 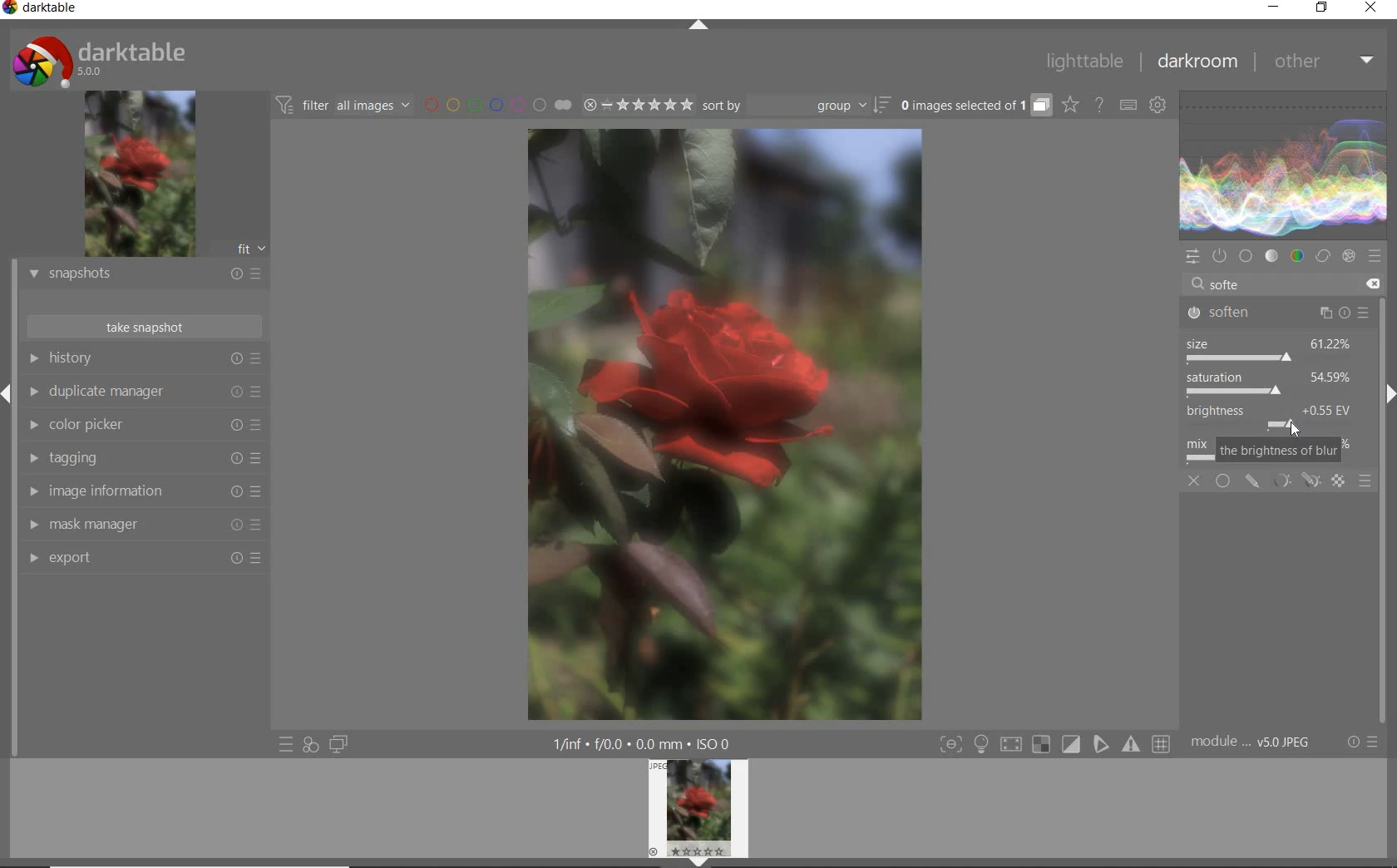 What do you see at coordinates (1322, 257) in the screenshot?
I see `correct` at bounding box center [1322, 257].